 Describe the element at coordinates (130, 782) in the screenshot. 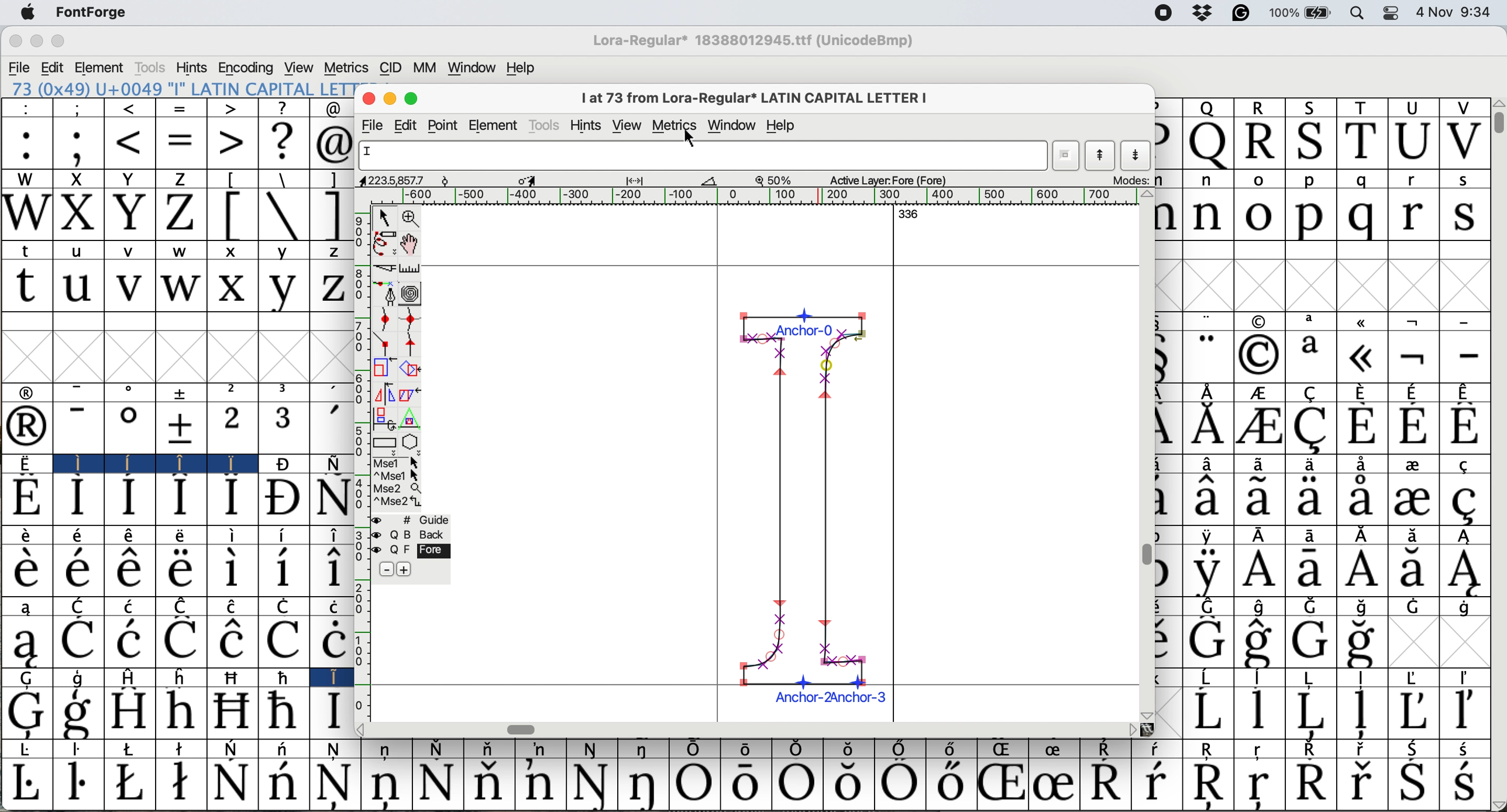

I see `Symbol` at that location.